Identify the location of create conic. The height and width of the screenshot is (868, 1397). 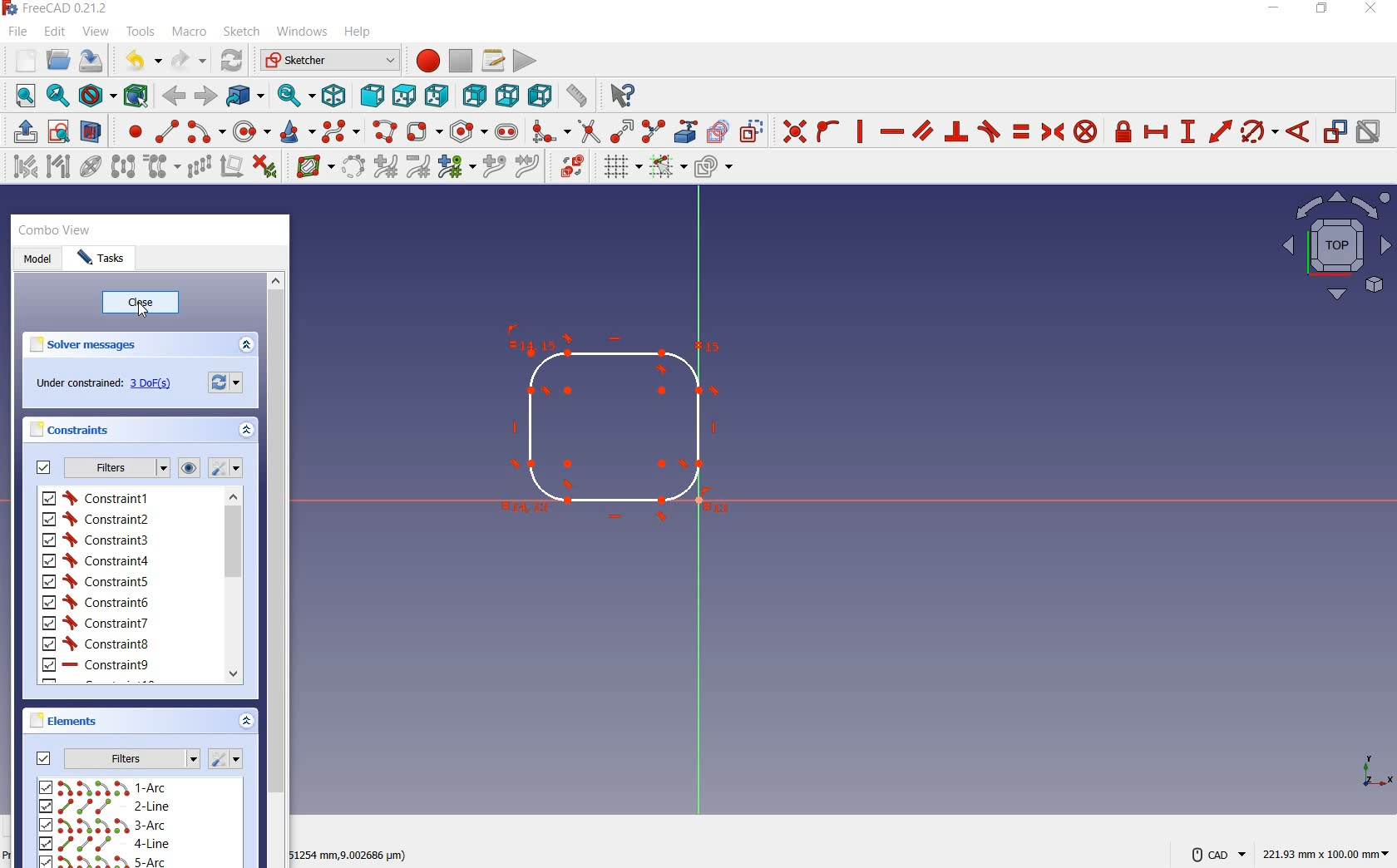
(299, 131).